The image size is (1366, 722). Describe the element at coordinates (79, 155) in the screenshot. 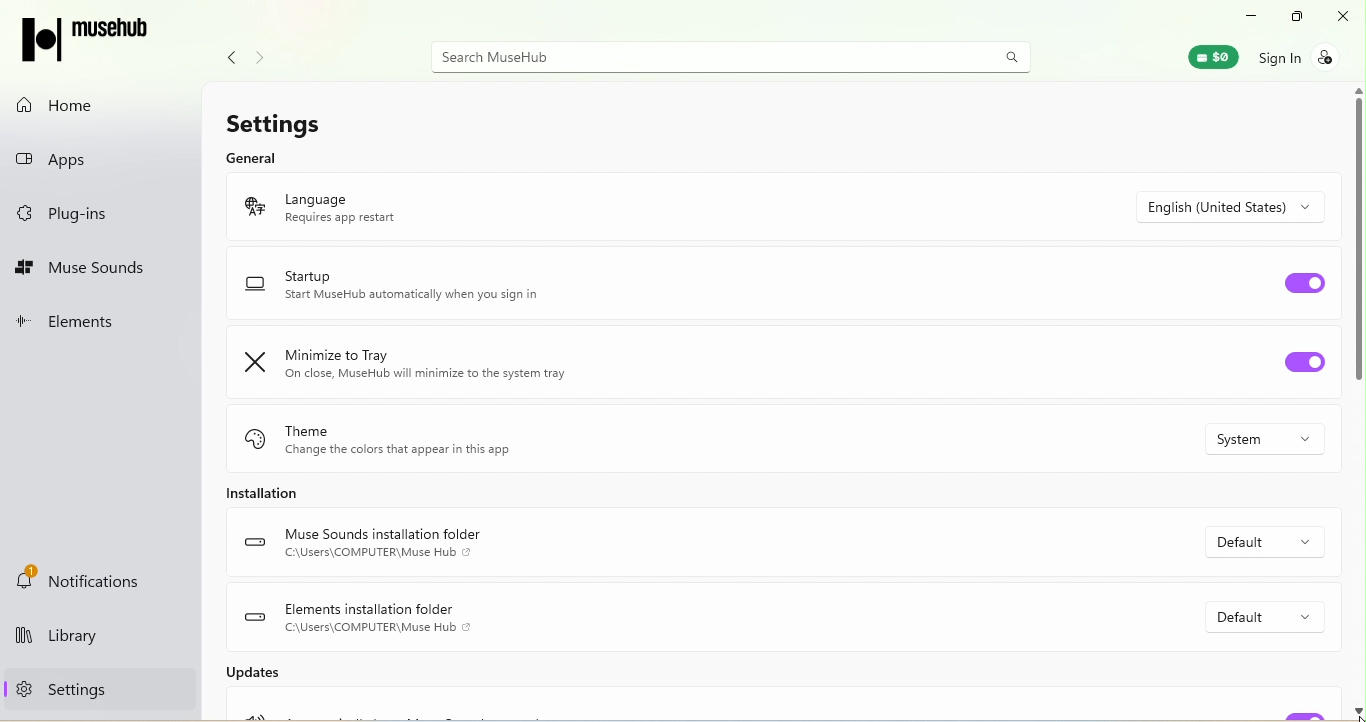

I see `Apps` at that location.